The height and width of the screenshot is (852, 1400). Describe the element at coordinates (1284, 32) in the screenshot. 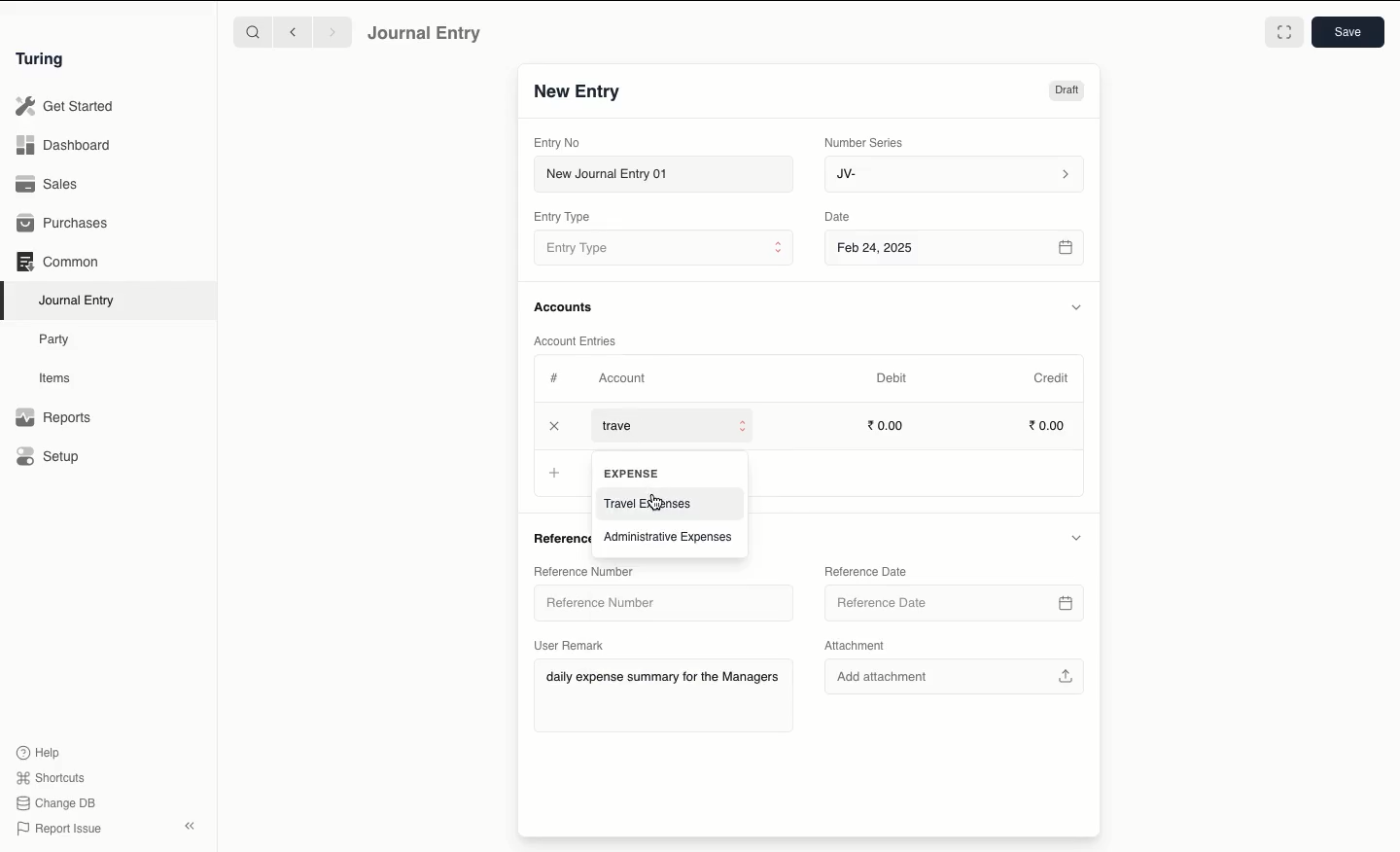

I see `Toggle between form and full width` at that location.